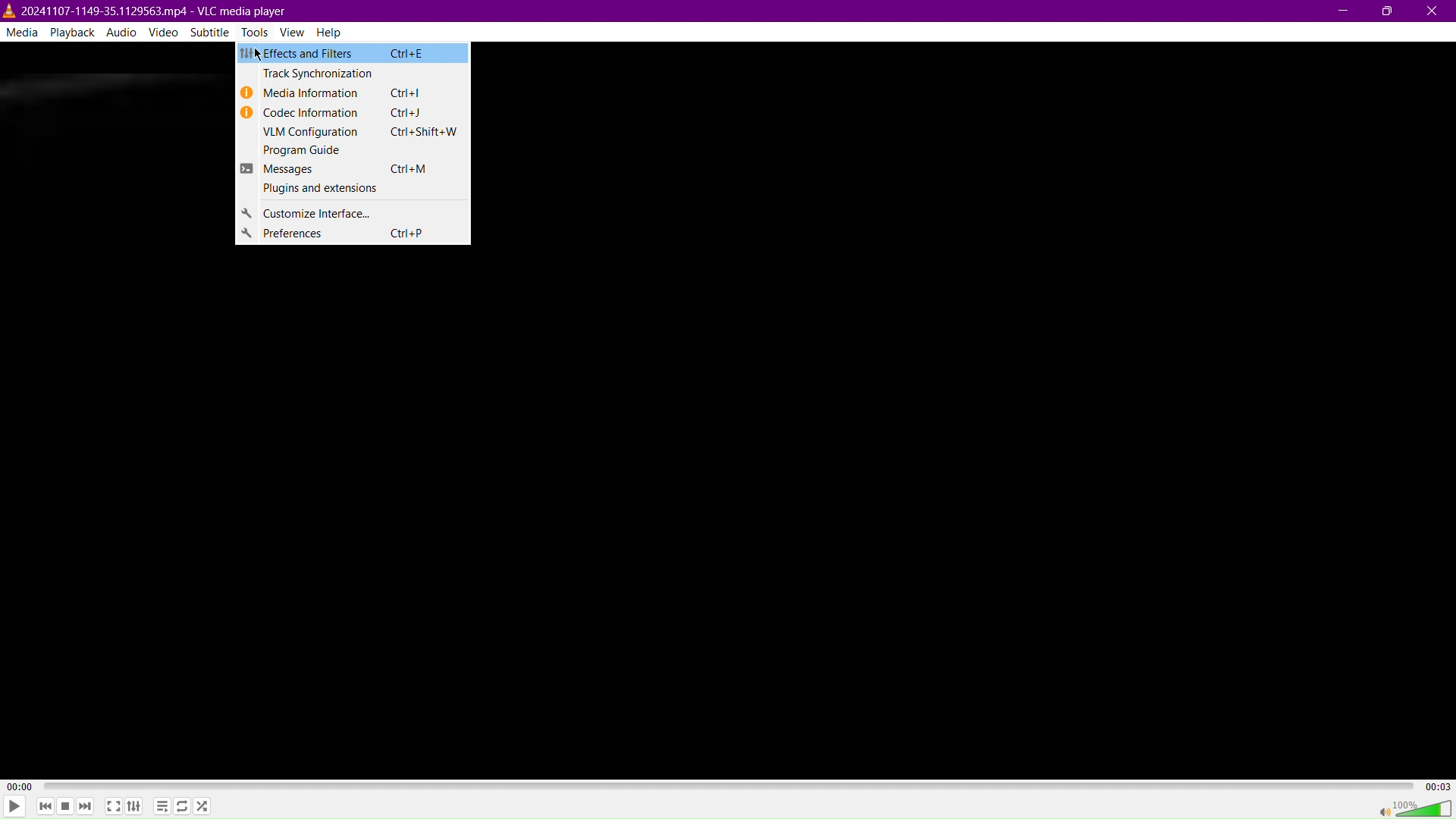 This screenshot has width=1456, height=819. What do you see at coordinates (44, 807) in the screenshot?
I see `Skip Back` at bounding box center [44, 807].